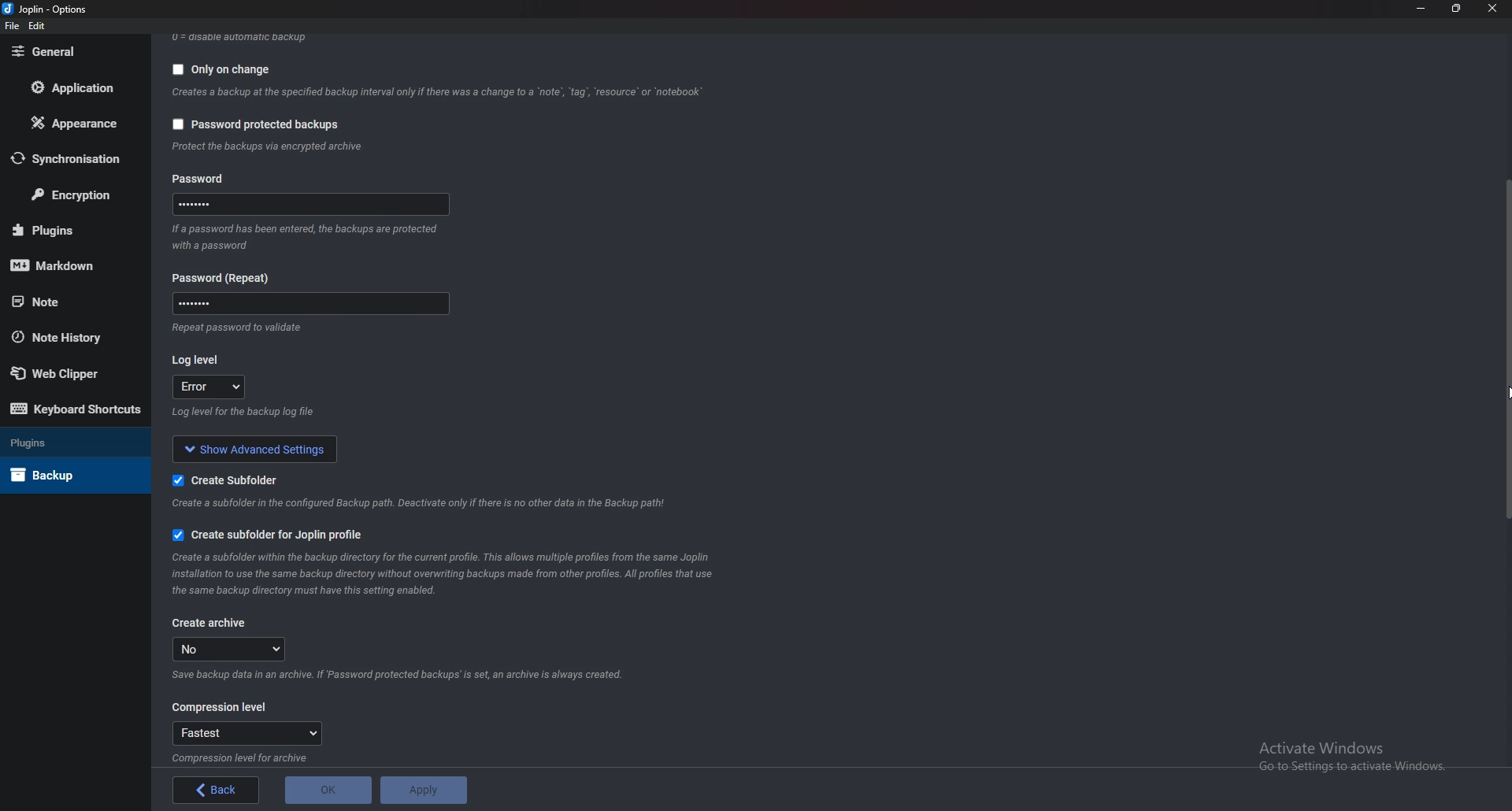  Describe the element at coordinates (217, 706) in the screenshot. I see `Compression level` at that location.